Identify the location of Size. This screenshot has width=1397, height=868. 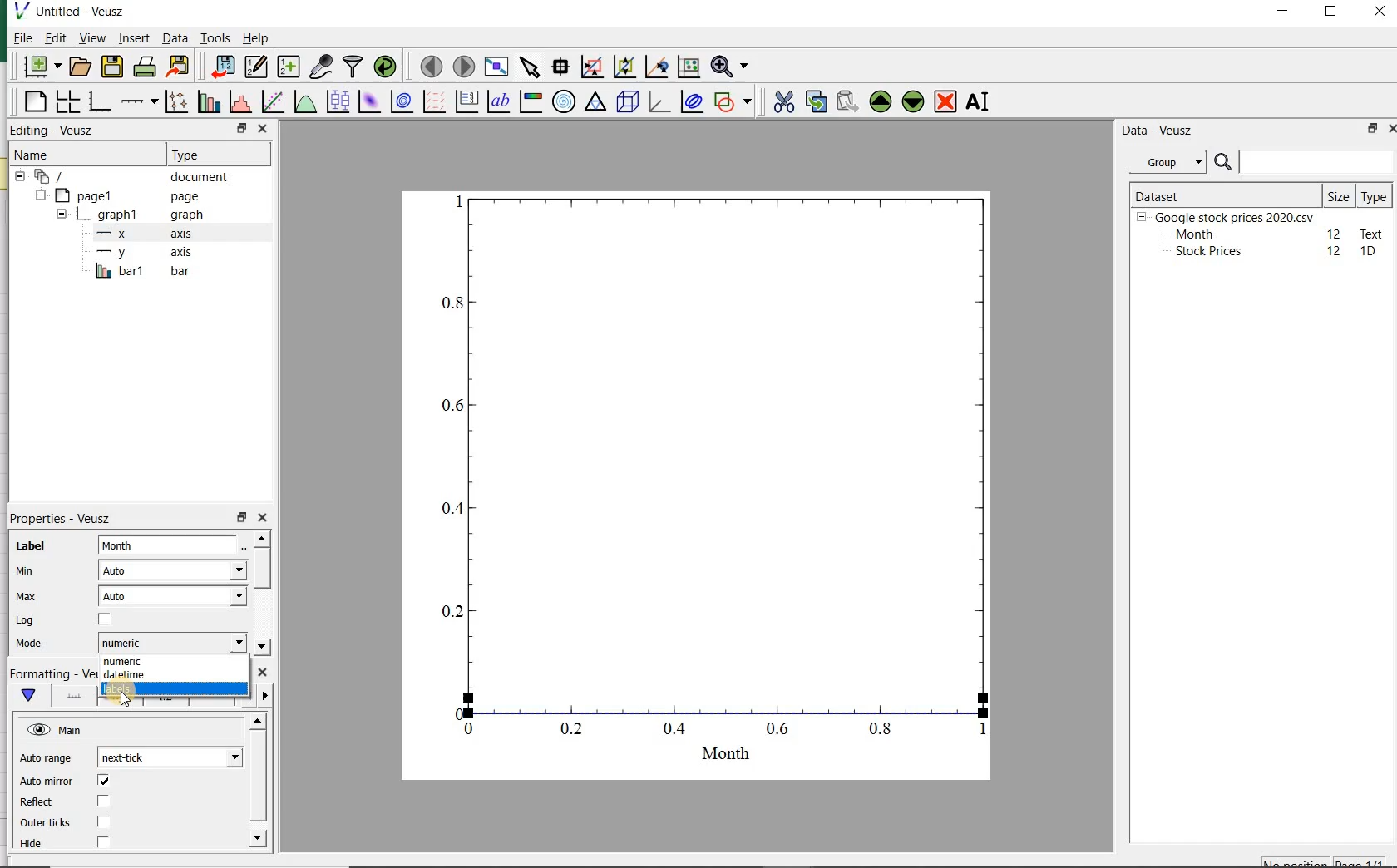
(1339, 195).